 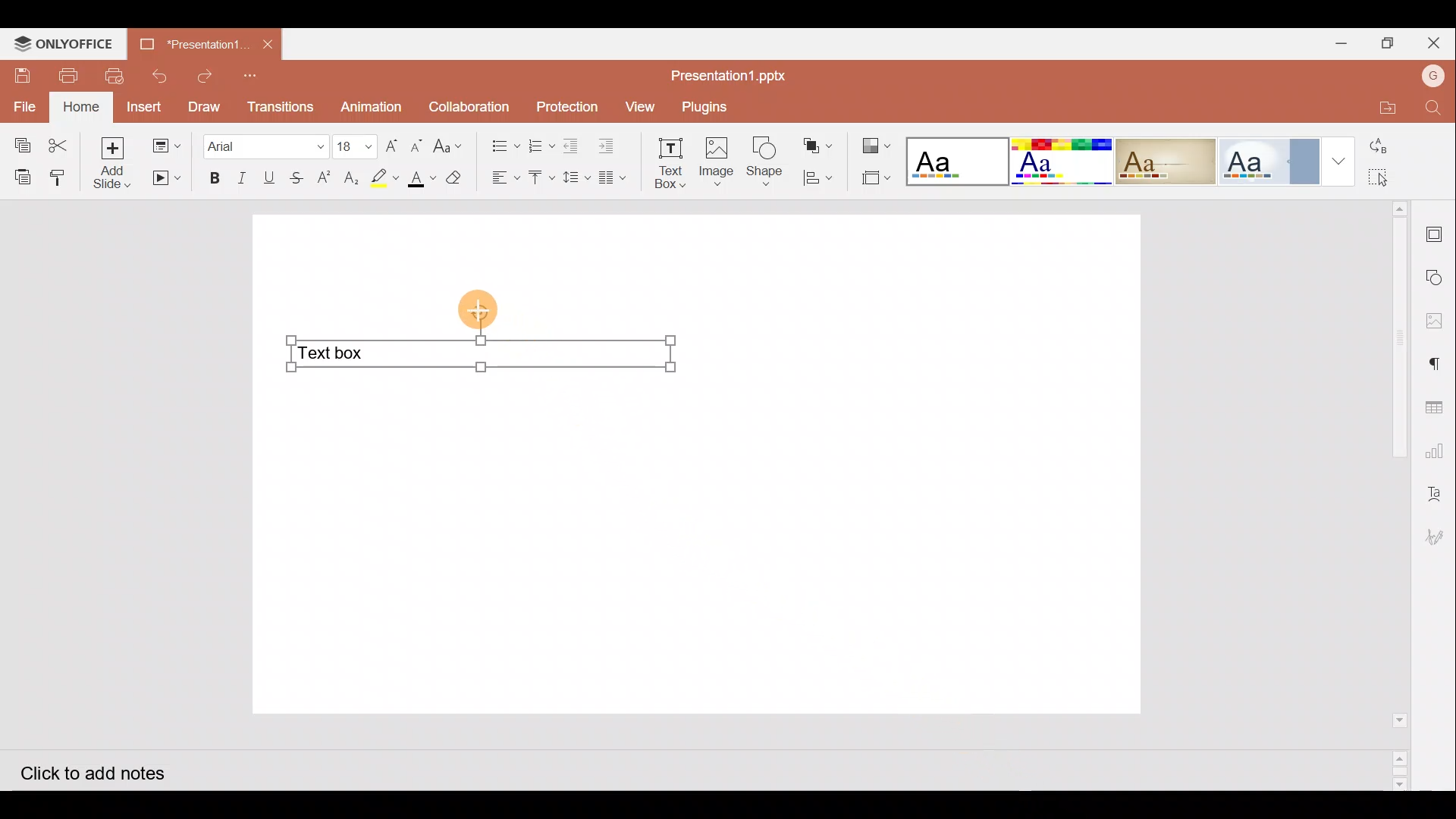 I want to click on Insert Shape, so click(x=764, y=162).